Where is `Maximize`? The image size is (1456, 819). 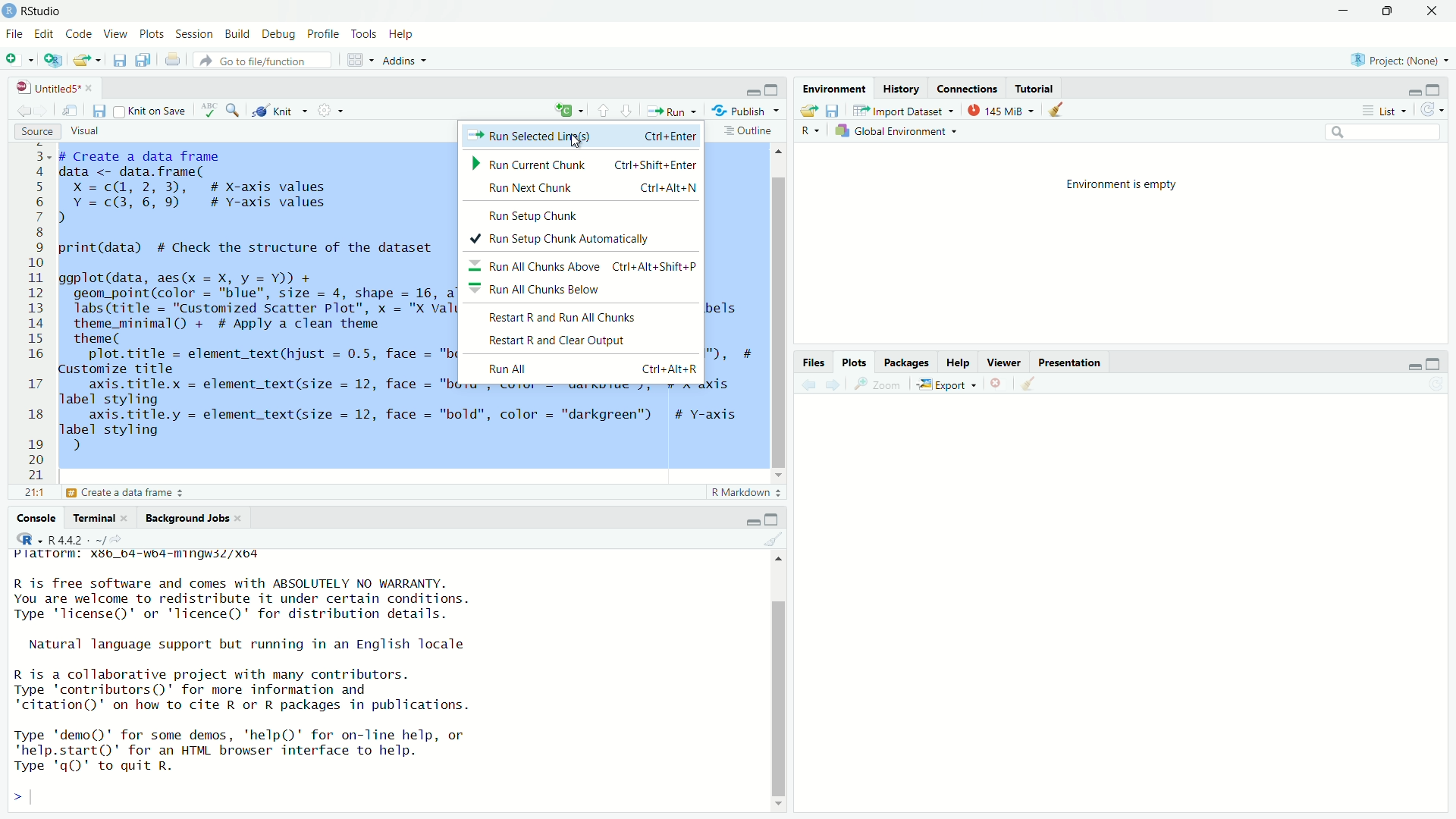
Maximize is located at coordinates (1389, 9).